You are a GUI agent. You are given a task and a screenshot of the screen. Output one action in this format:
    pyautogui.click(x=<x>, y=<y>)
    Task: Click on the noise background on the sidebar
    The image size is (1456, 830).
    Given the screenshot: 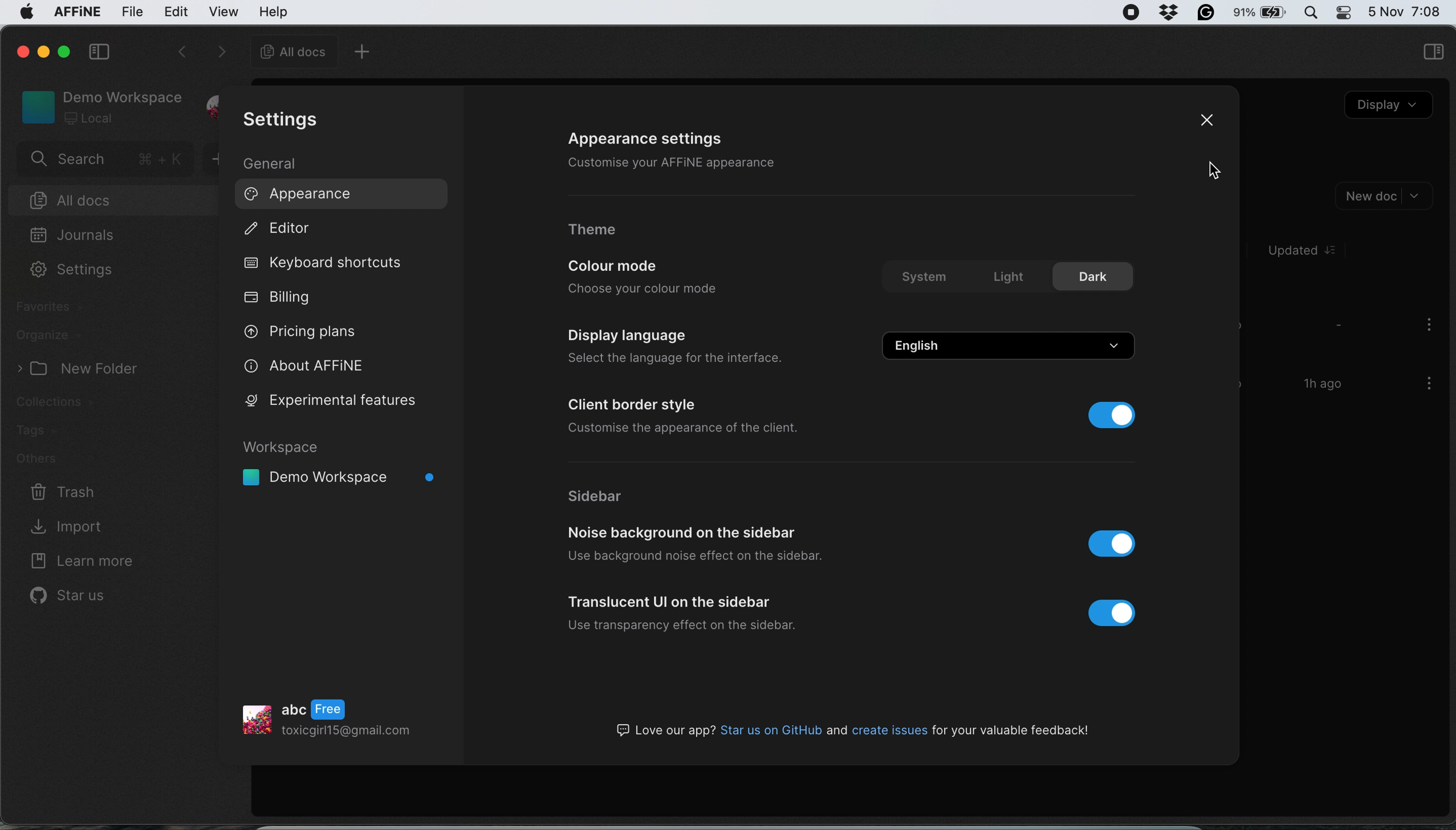 What is the action you would take?
    pyautogui.click(x=679, y=532)
    